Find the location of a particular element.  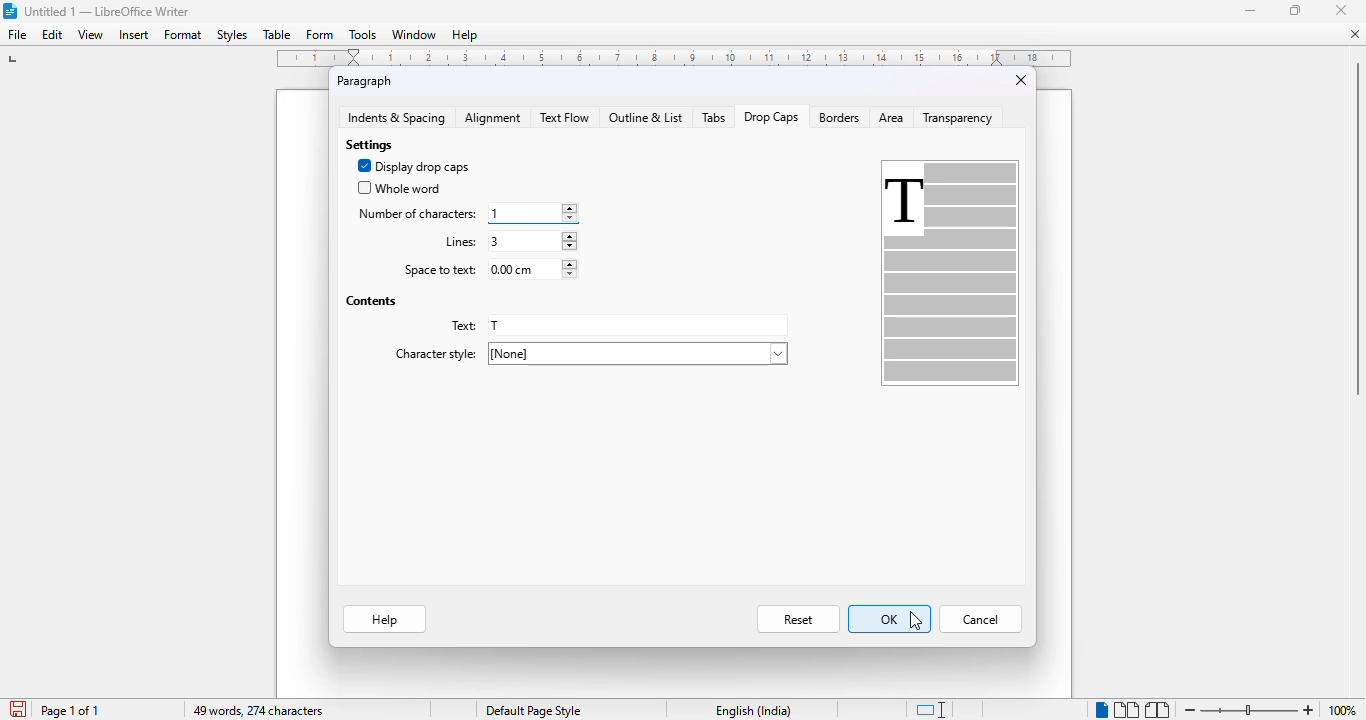

help is located at coordinates (466, 35).